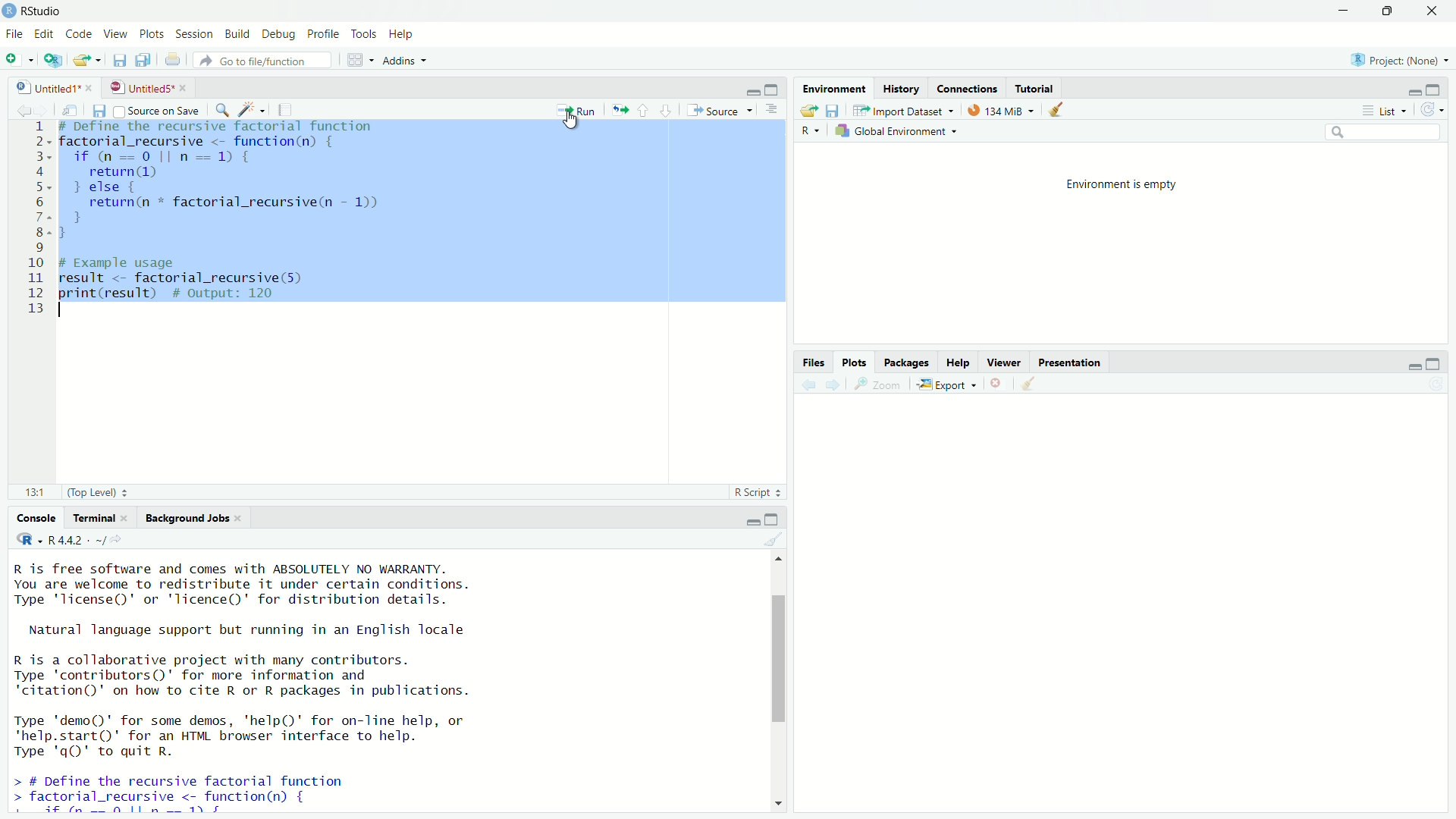 The width and height of the screenshot is (1456, 819). I want to click on R 4.2.2~/, so click(74, 539).